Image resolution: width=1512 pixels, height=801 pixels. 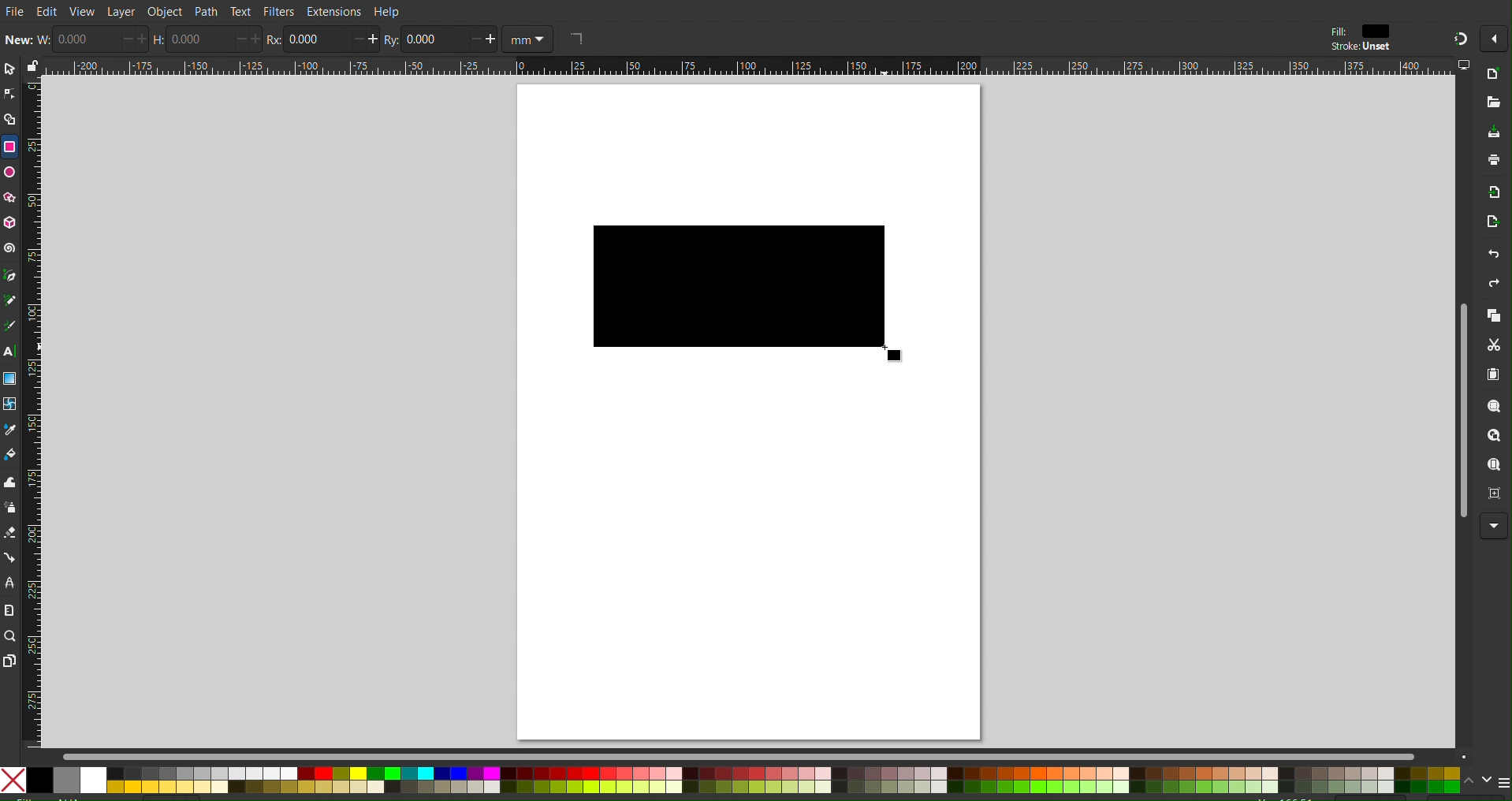 What do you see at coordinates (1495, 376) in the screenshot?
I see `Paste` at bounding box center [1495, 376].